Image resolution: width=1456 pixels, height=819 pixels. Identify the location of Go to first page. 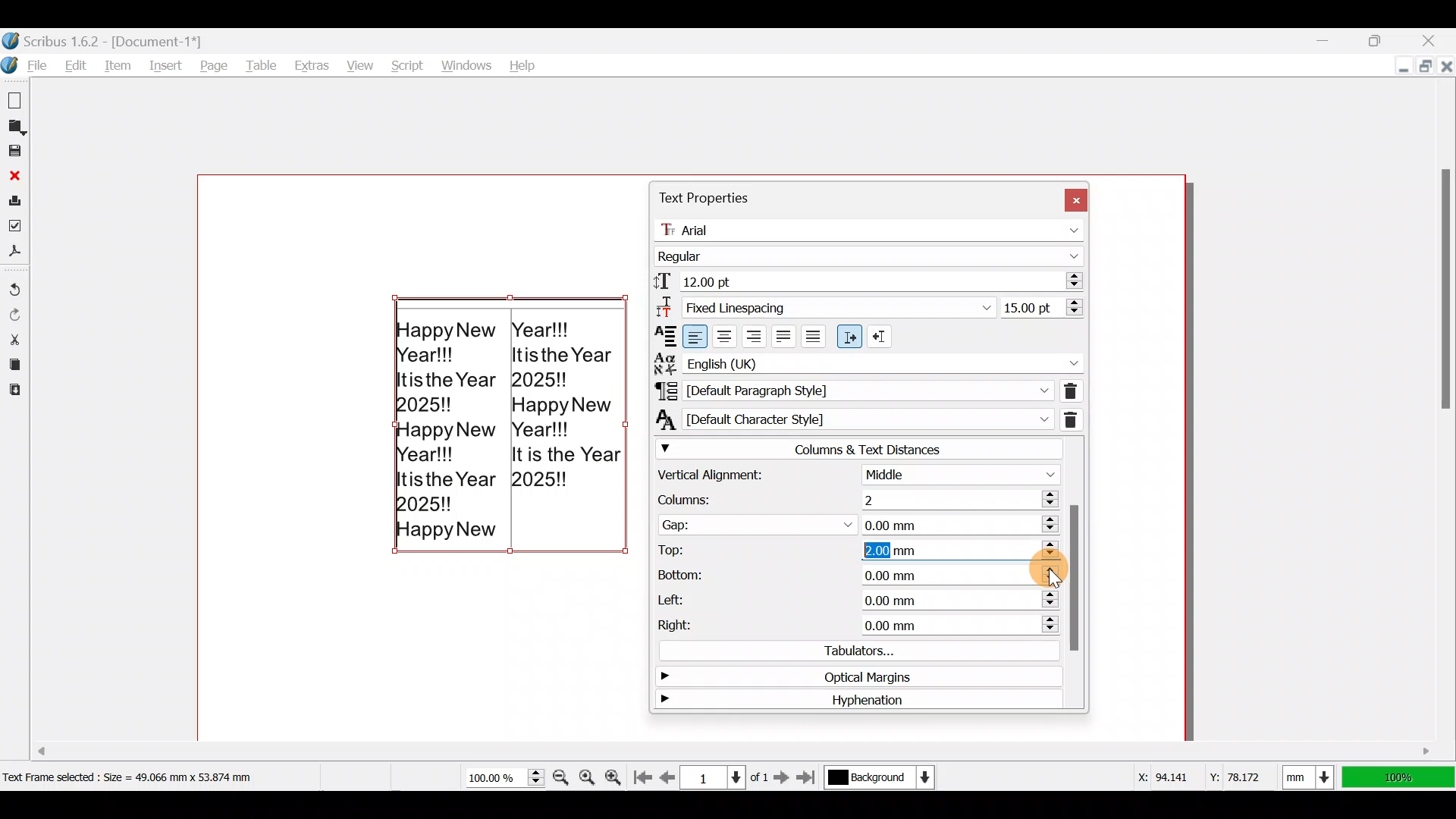
(645, 770).